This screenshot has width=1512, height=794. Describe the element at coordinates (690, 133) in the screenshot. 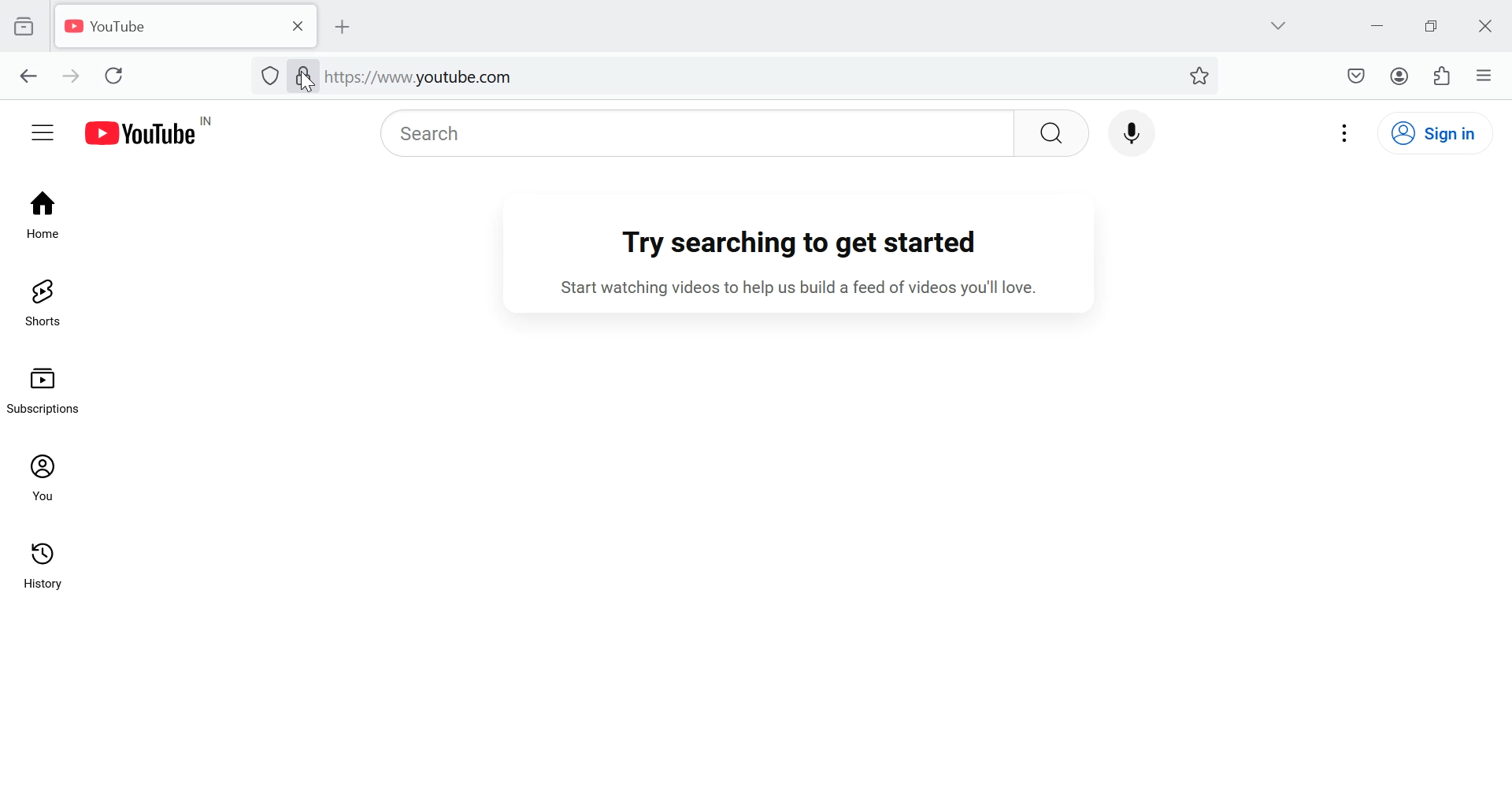

I see `Search field` at that location.